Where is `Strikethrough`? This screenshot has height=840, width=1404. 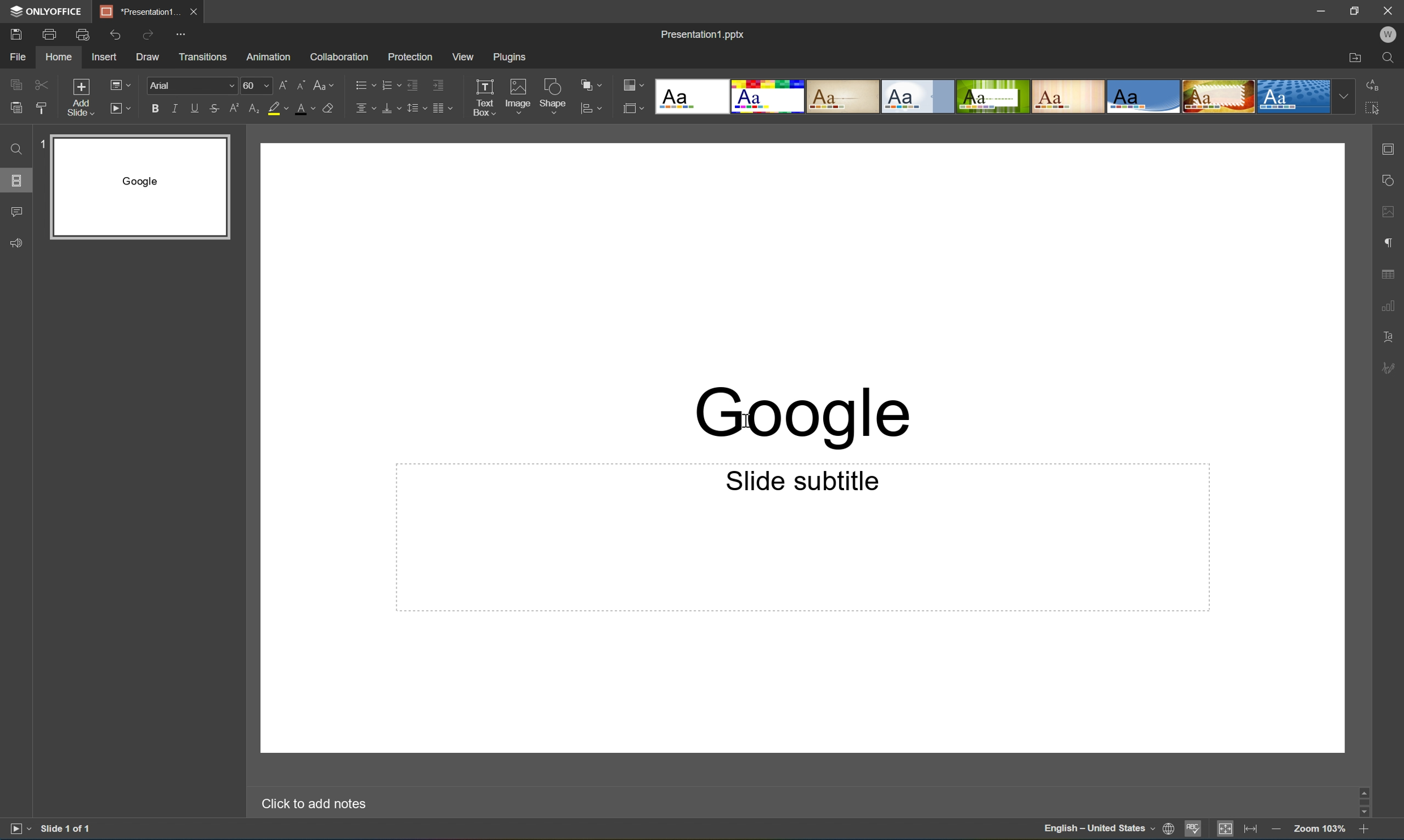 Strikethrough is located at coordinates (217, 110).